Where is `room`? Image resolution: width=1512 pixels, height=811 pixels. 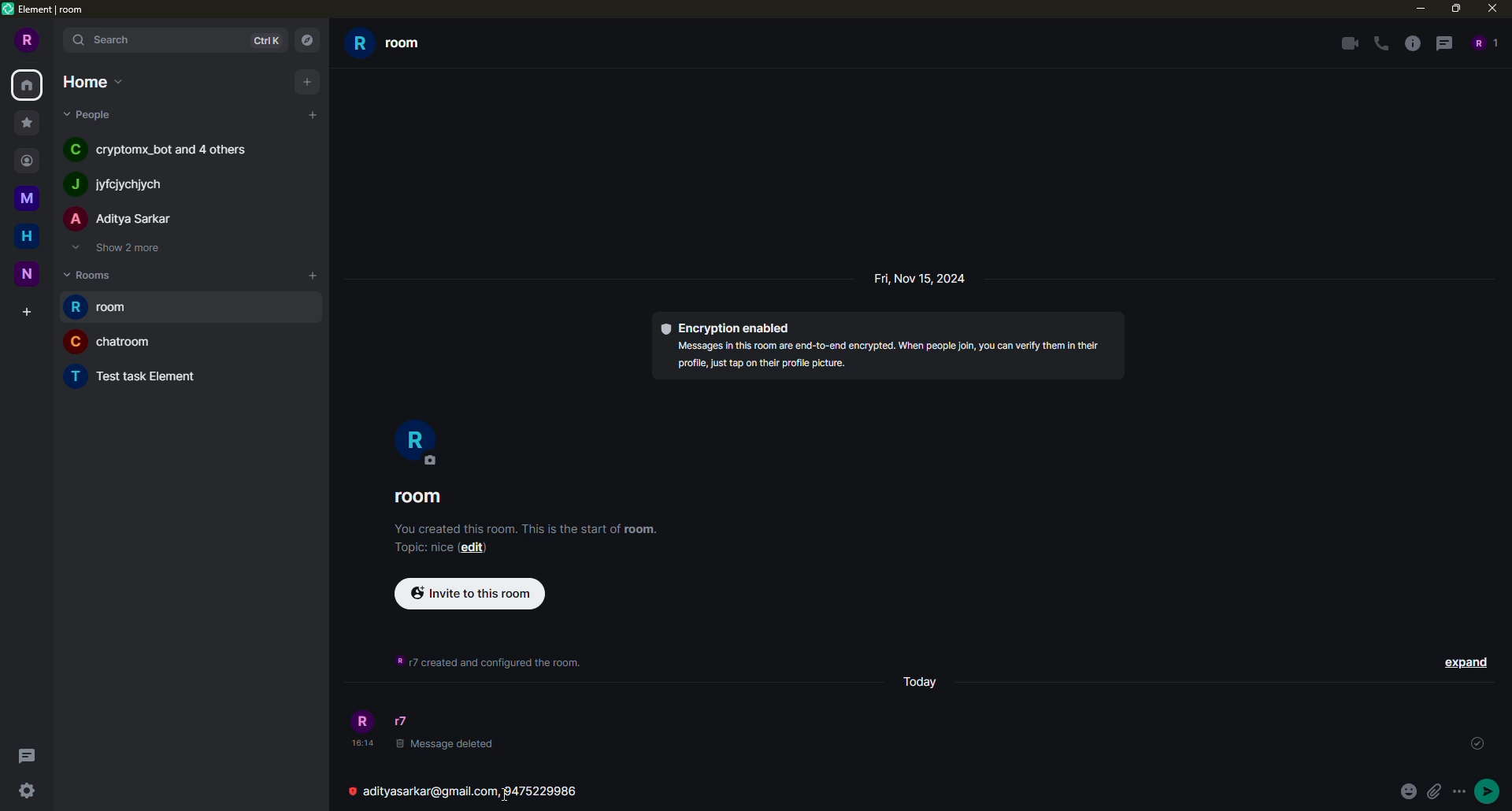 room is located at coordinates (422, 498).